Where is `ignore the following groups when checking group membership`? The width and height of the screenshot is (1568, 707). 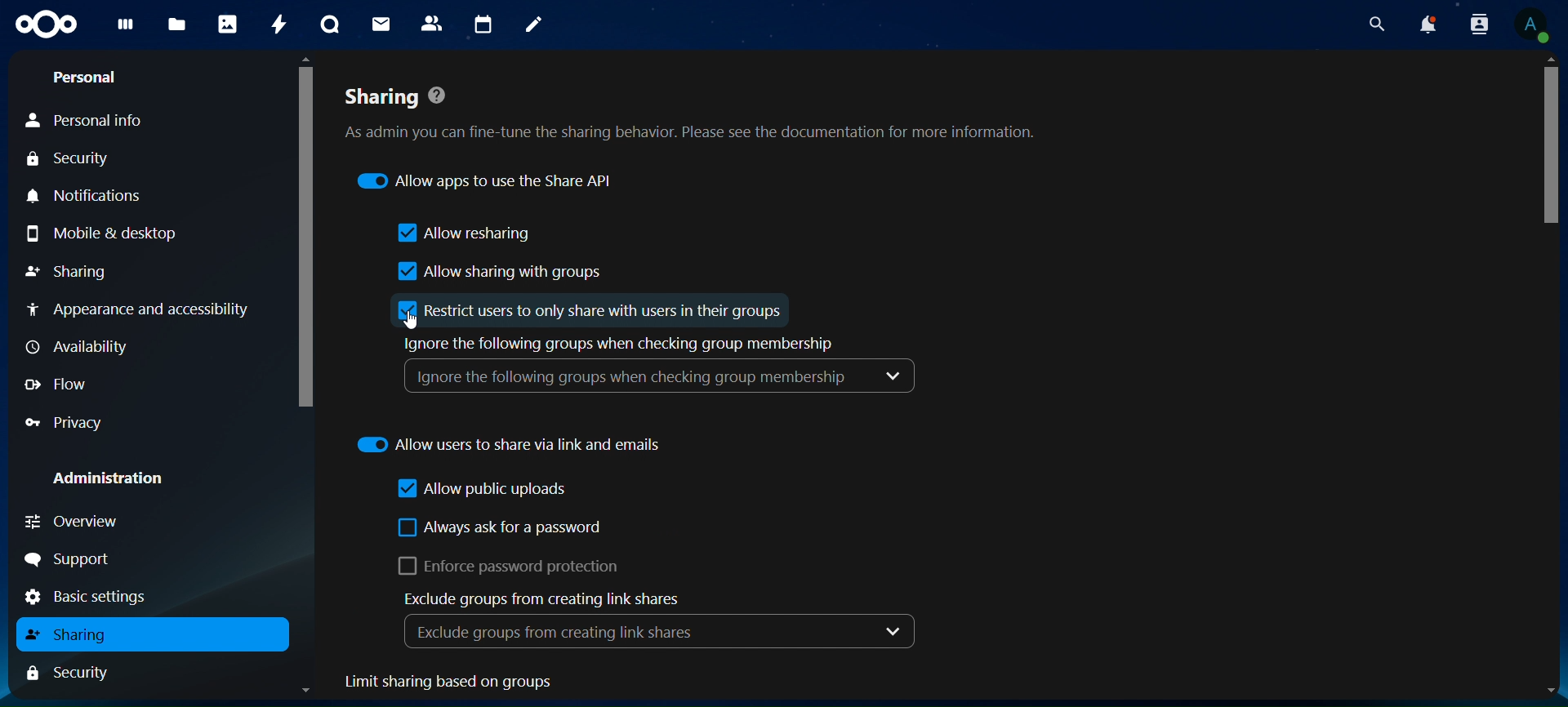 ignore the following groups when checking group membership is located at coordinates (666, 369).